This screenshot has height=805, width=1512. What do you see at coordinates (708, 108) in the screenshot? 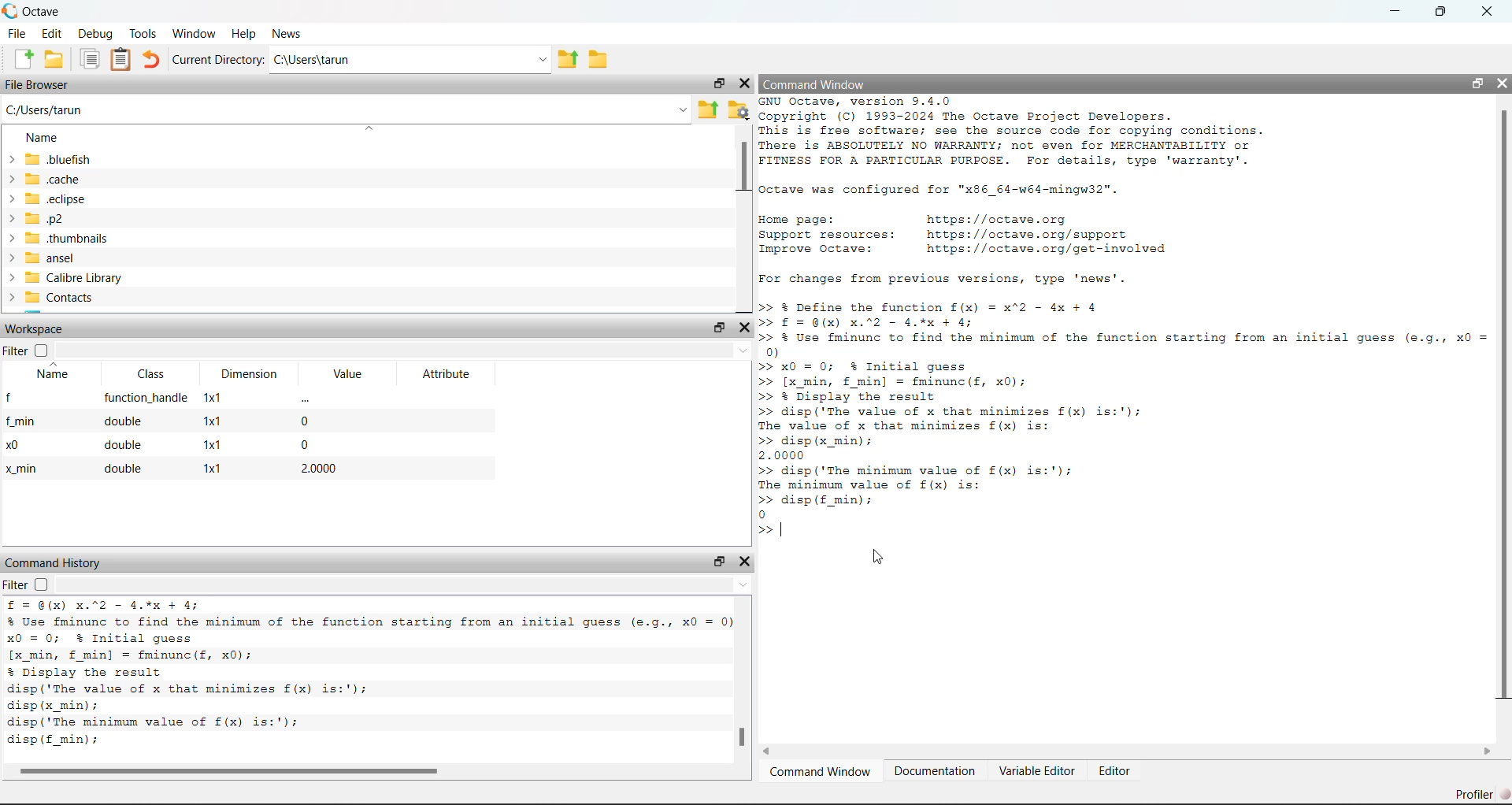
I see `one directory up` at bounding box center [708, 108].